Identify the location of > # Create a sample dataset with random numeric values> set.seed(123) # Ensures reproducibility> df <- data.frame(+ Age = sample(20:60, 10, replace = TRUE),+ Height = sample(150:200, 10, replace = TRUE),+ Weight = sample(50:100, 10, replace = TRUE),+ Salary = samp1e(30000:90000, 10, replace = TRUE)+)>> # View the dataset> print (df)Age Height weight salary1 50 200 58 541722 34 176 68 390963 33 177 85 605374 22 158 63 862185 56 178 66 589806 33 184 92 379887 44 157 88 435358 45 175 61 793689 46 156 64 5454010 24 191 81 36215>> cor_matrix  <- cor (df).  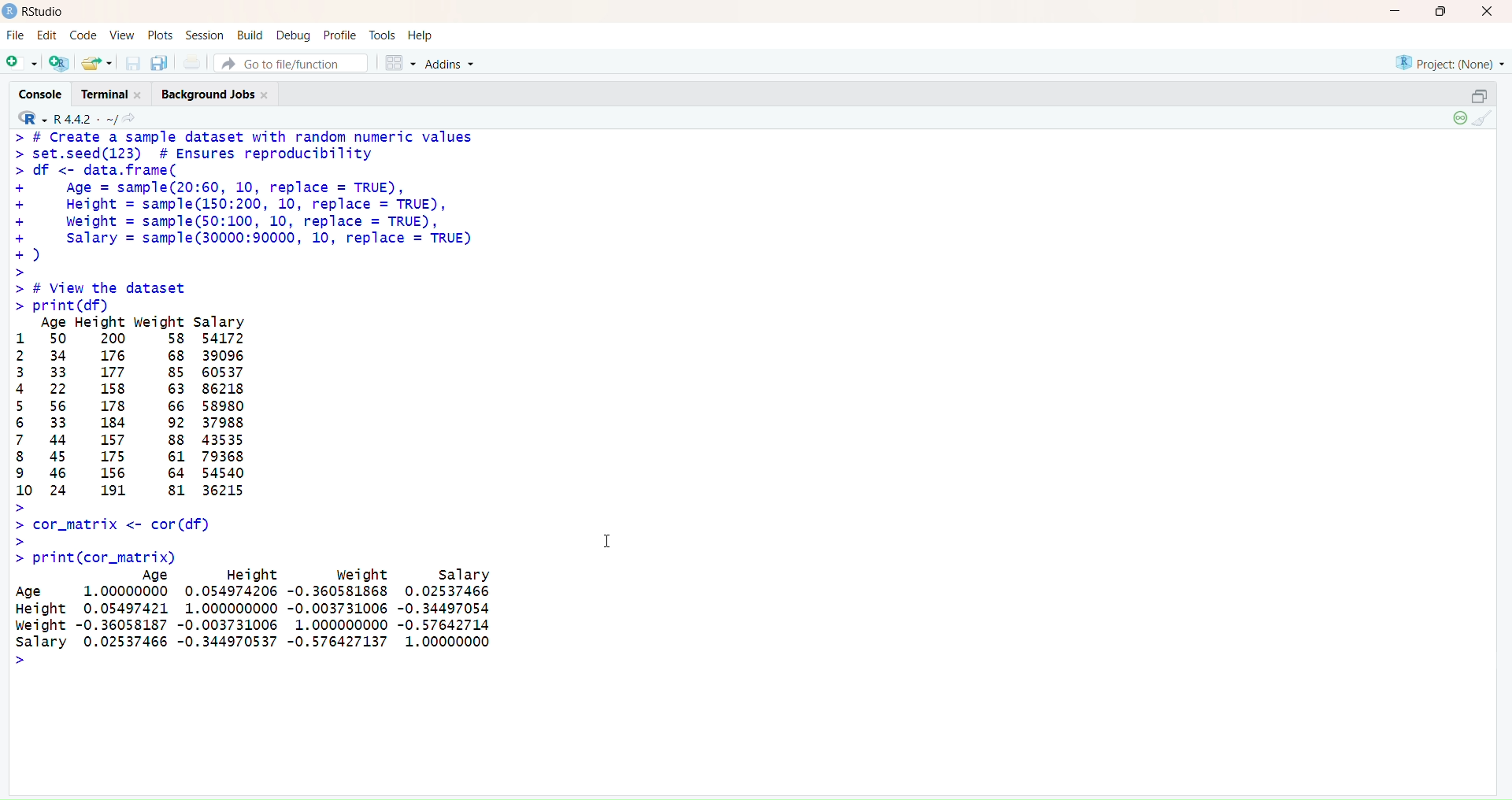
(263, 338).